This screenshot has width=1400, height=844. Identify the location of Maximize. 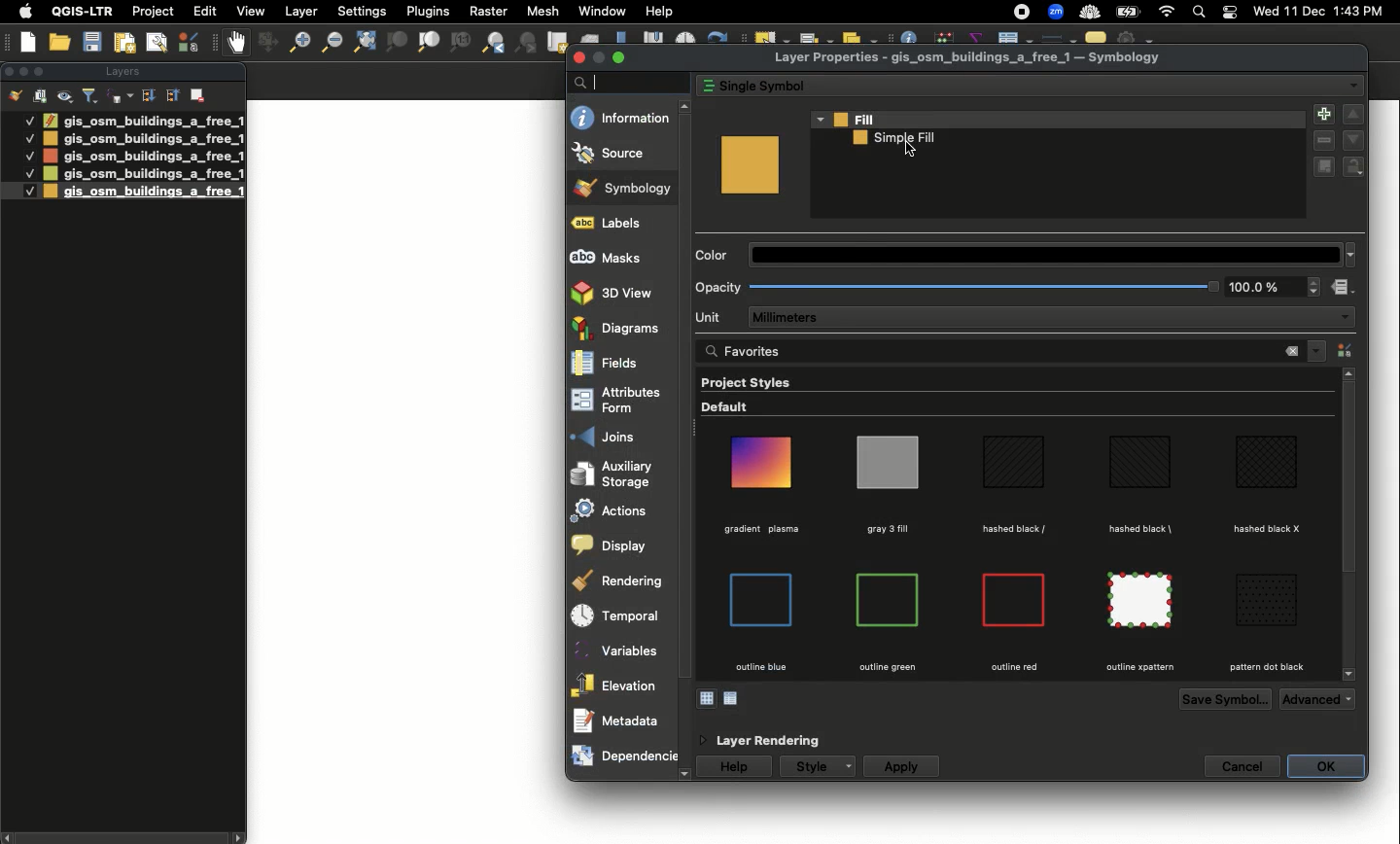
(43, 71).